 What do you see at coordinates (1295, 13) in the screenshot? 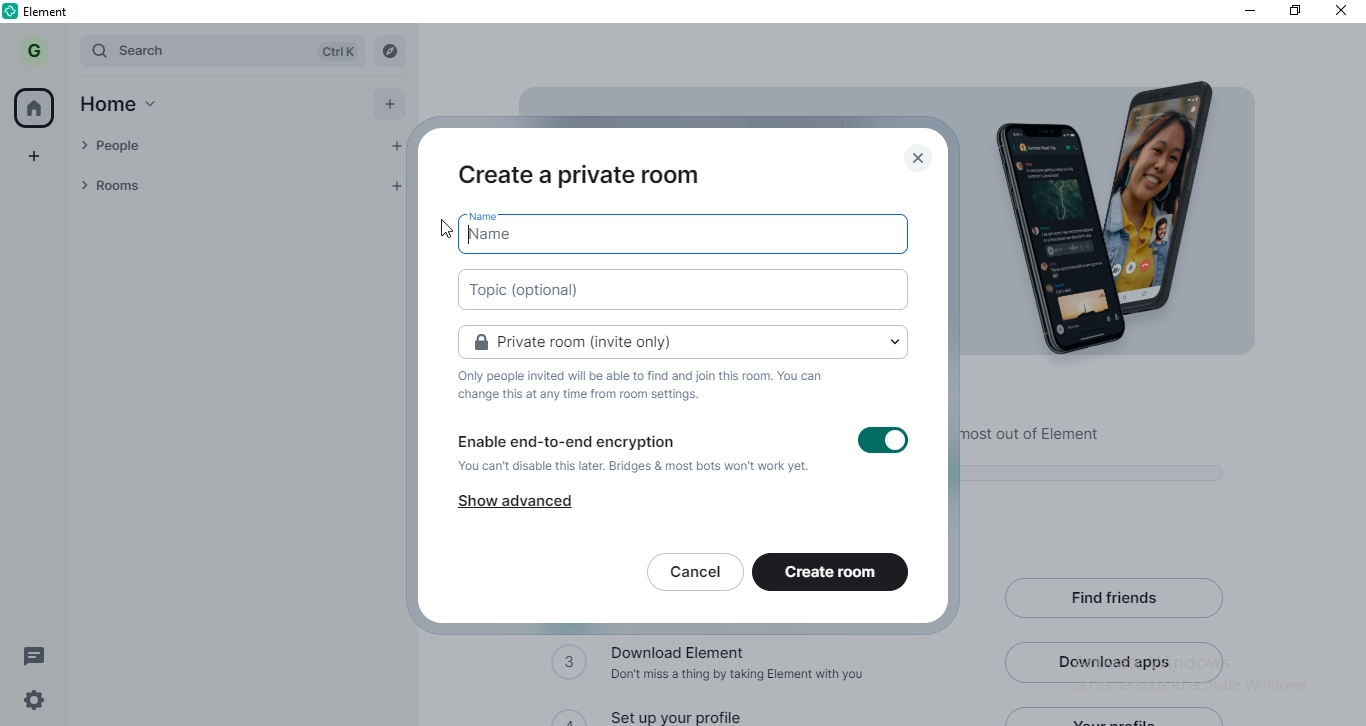
I see `restore` at bounding box center [1295, 13].